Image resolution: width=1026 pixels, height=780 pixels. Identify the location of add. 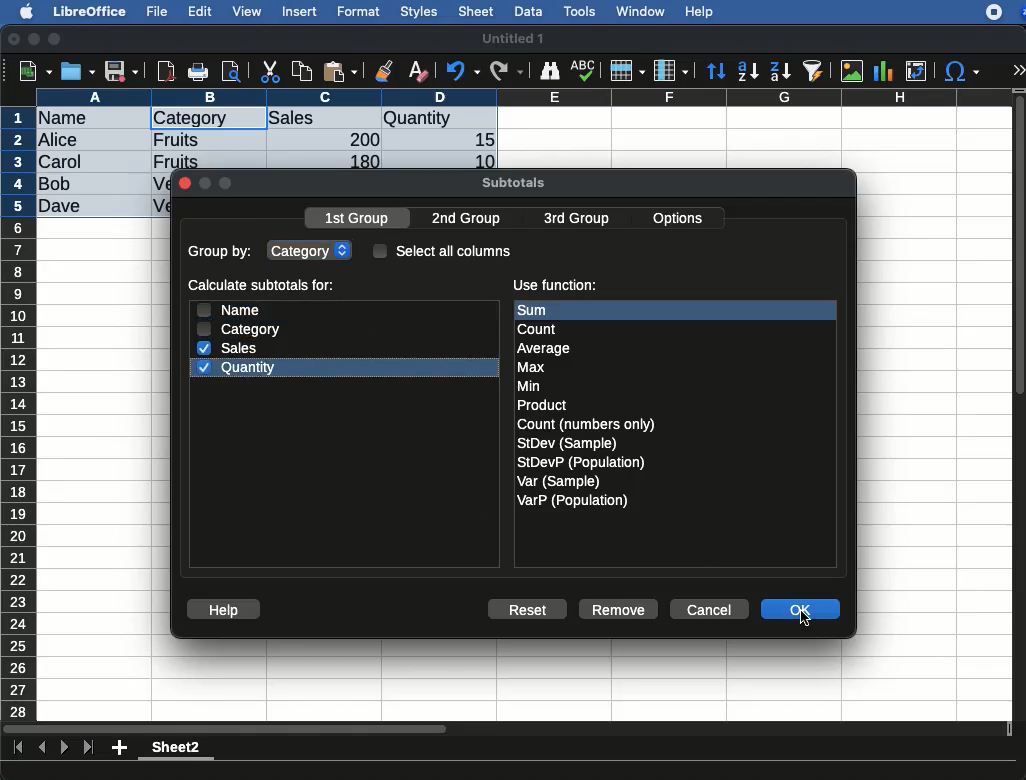
(121, 747).